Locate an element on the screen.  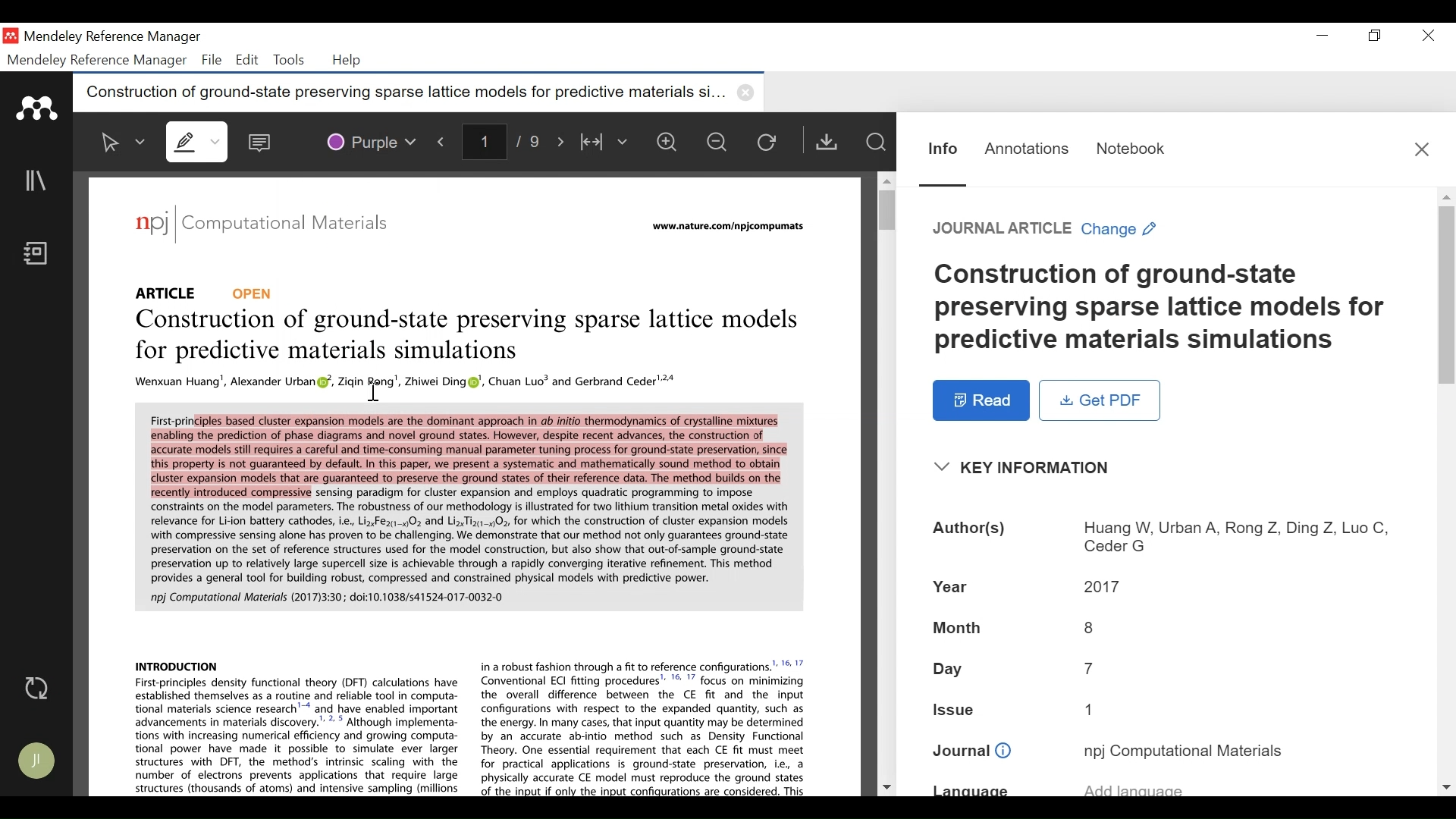
Mendeley Desktop Icon is located at coordinates (11, 35).